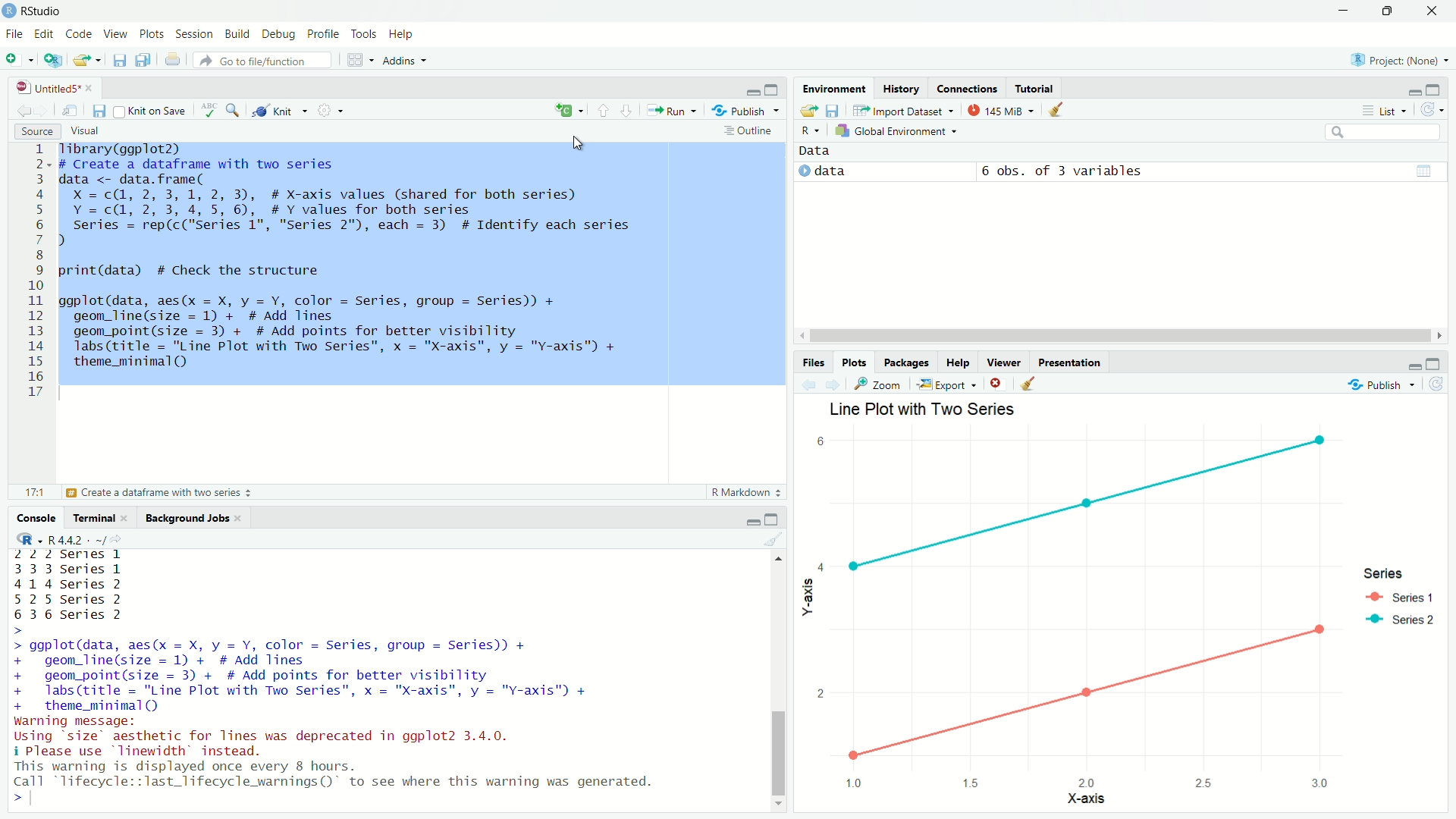  What do you see at coordinates (160, 493) in the screenshot?
I see `Create a dataframe with two series` at bounding box center [160, 493].